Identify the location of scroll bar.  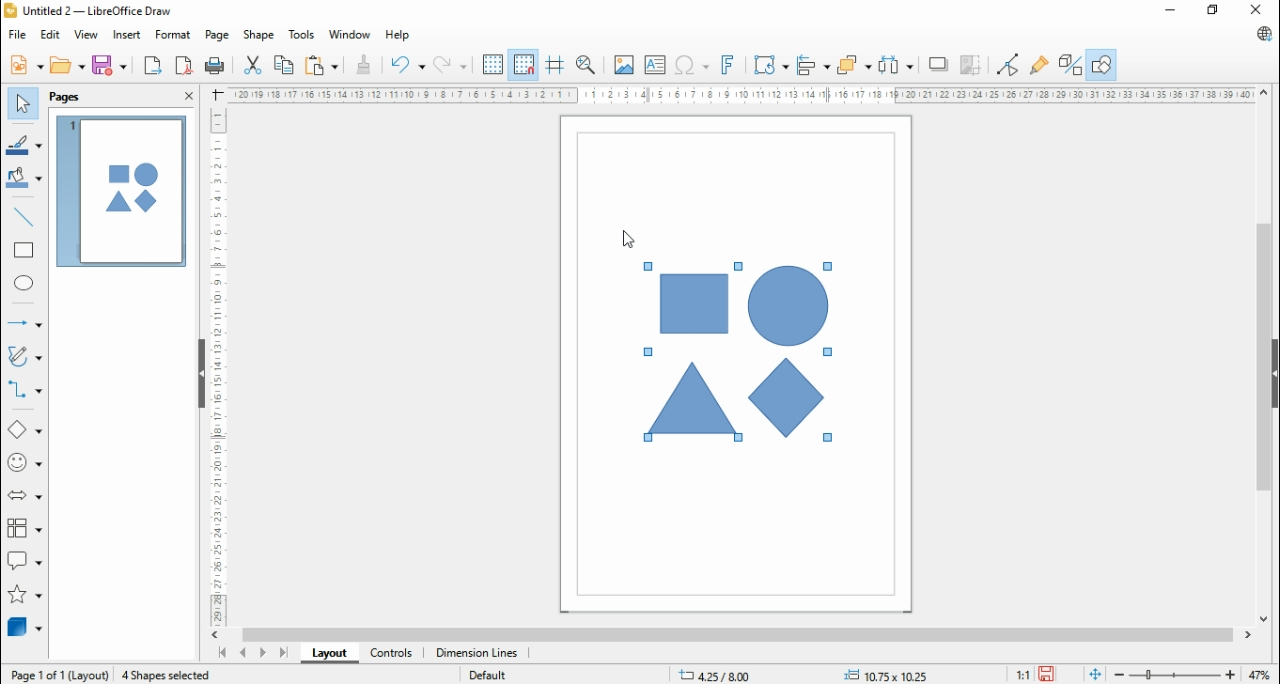
(1264, 355).